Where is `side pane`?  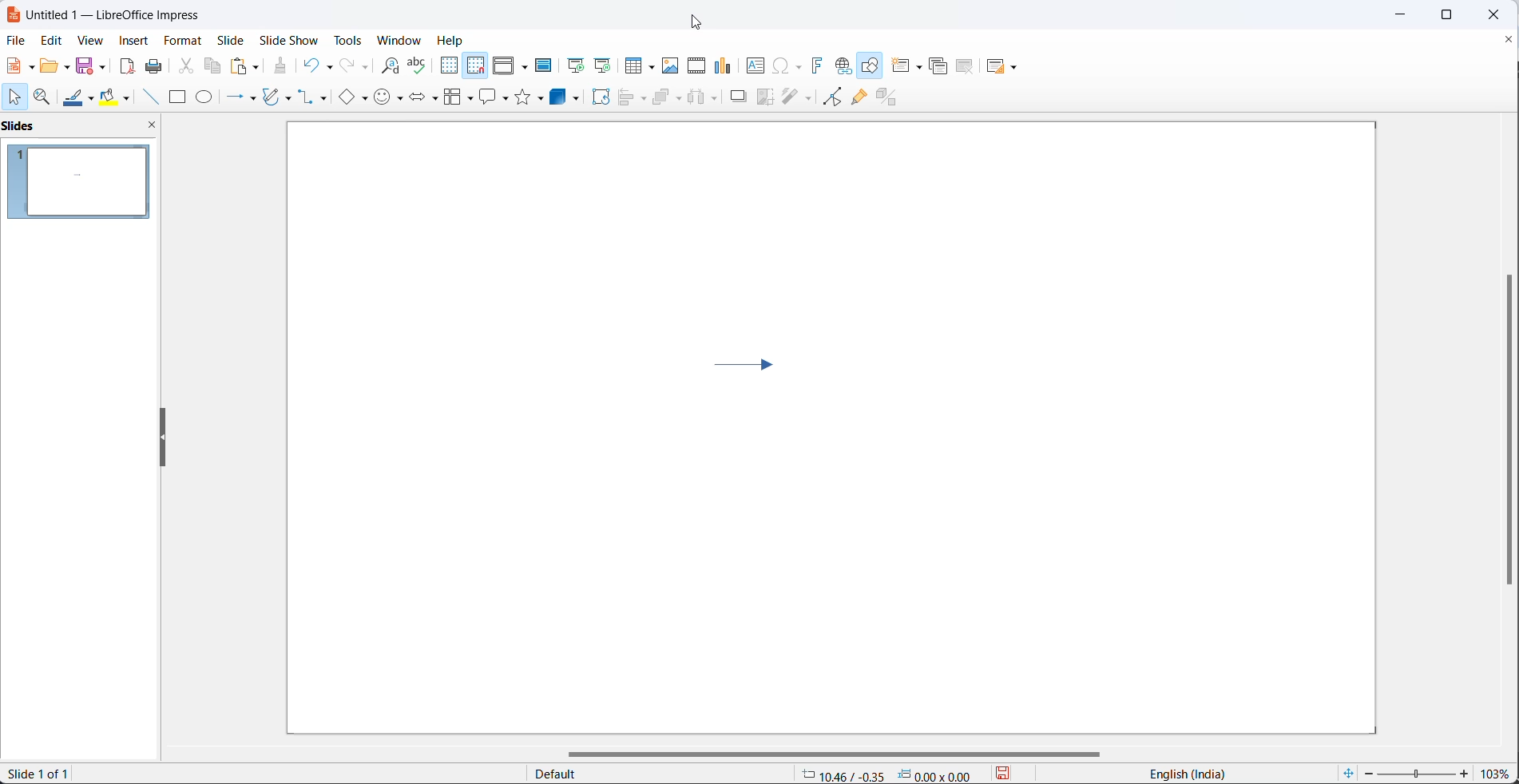 side pane is located at coordinates (83, 127).